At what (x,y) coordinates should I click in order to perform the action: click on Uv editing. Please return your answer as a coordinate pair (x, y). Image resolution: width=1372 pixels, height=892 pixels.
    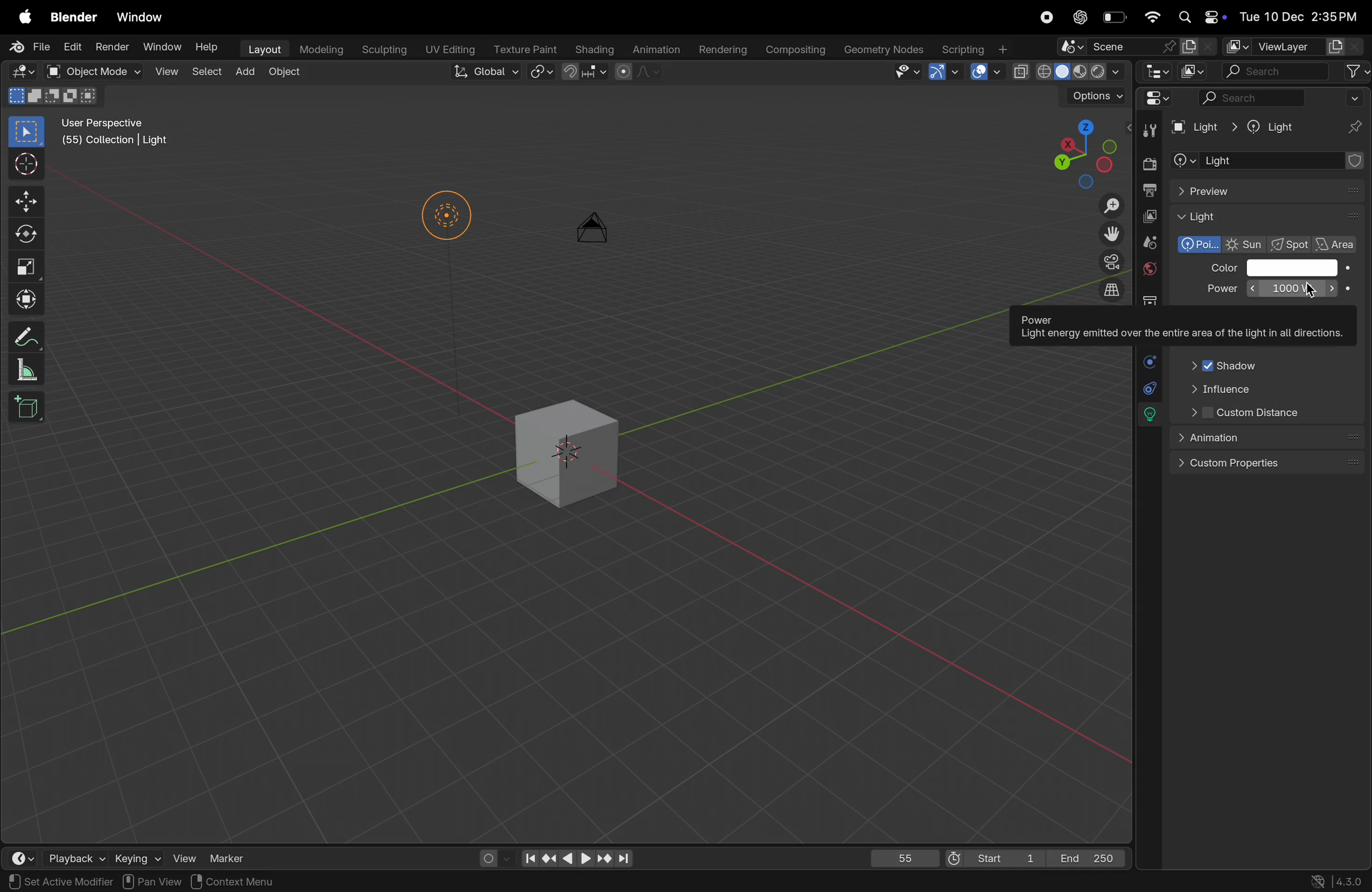
    Looking at the image, I should click on (447, 48).